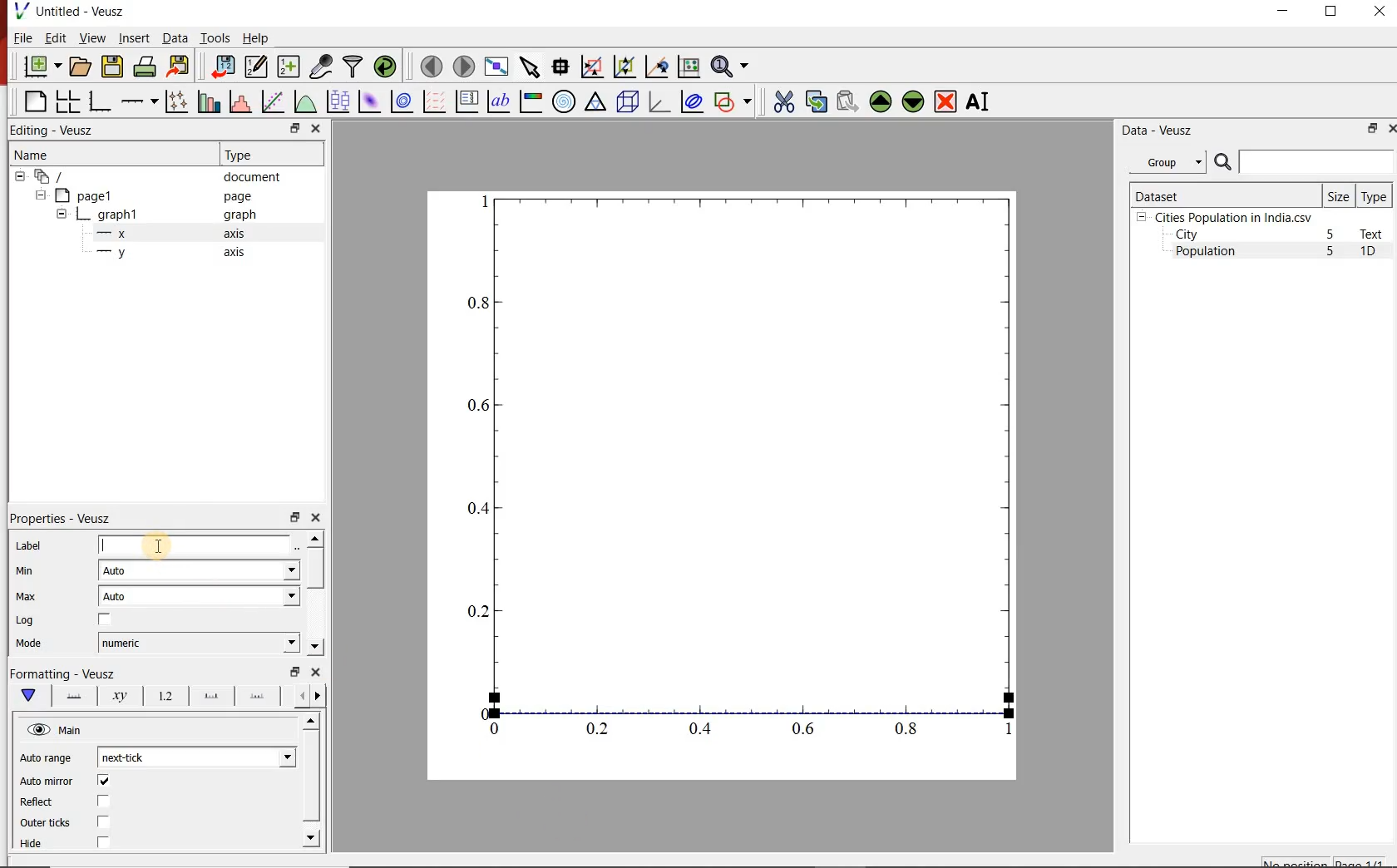 This screenshot has width=1397, height=868. What do you see at coordinates (64, 674) in the screenshot?
I see `Formatting - Veusz` at bounding box center [64, 674].